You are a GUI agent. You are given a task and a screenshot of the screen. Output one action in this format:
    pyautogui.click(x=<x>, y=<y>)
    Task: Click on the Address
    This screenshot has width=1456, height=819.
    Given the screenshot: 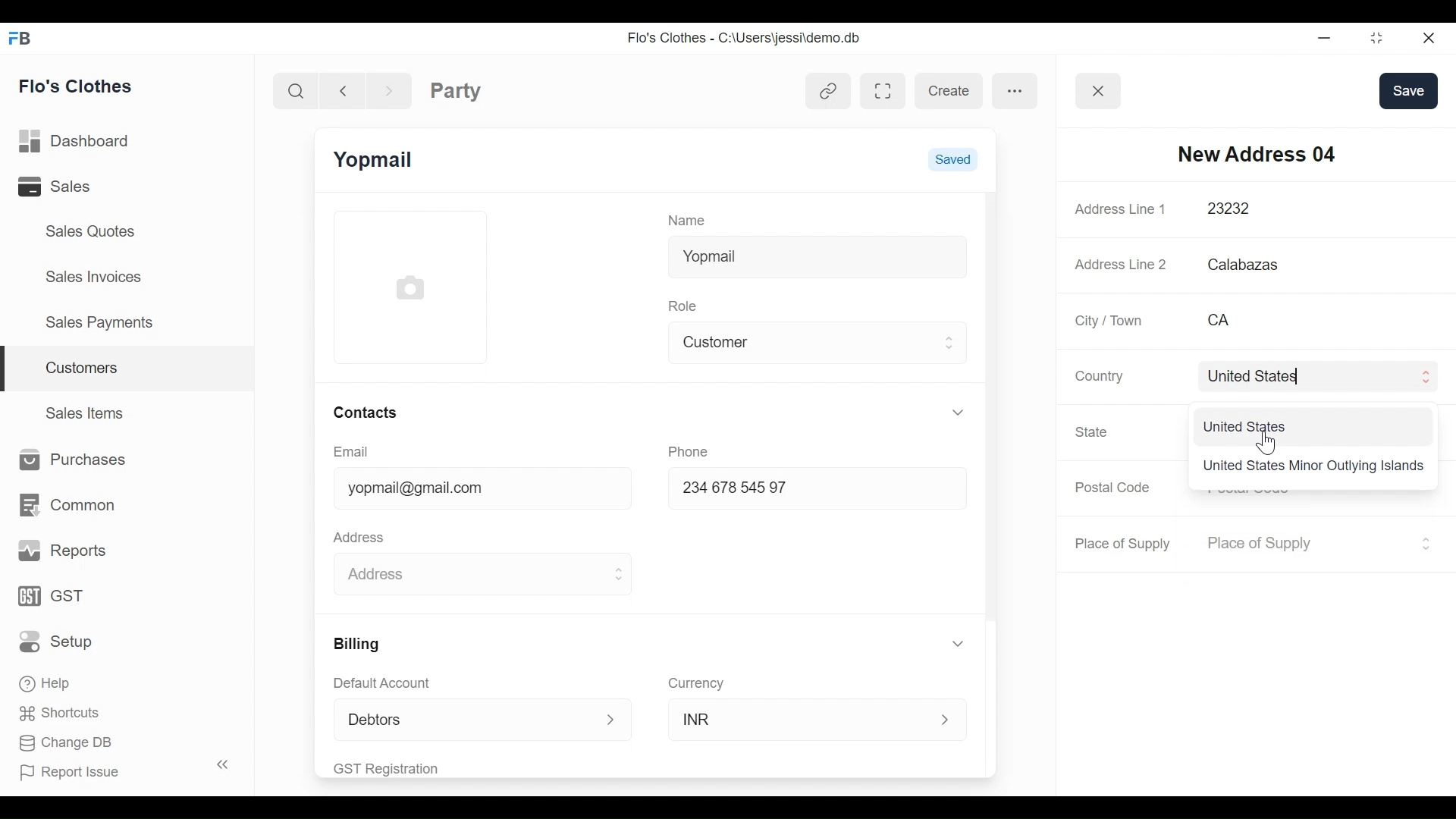 What is the action you would take?
    pyautogui.click(x=465, y=571)
    